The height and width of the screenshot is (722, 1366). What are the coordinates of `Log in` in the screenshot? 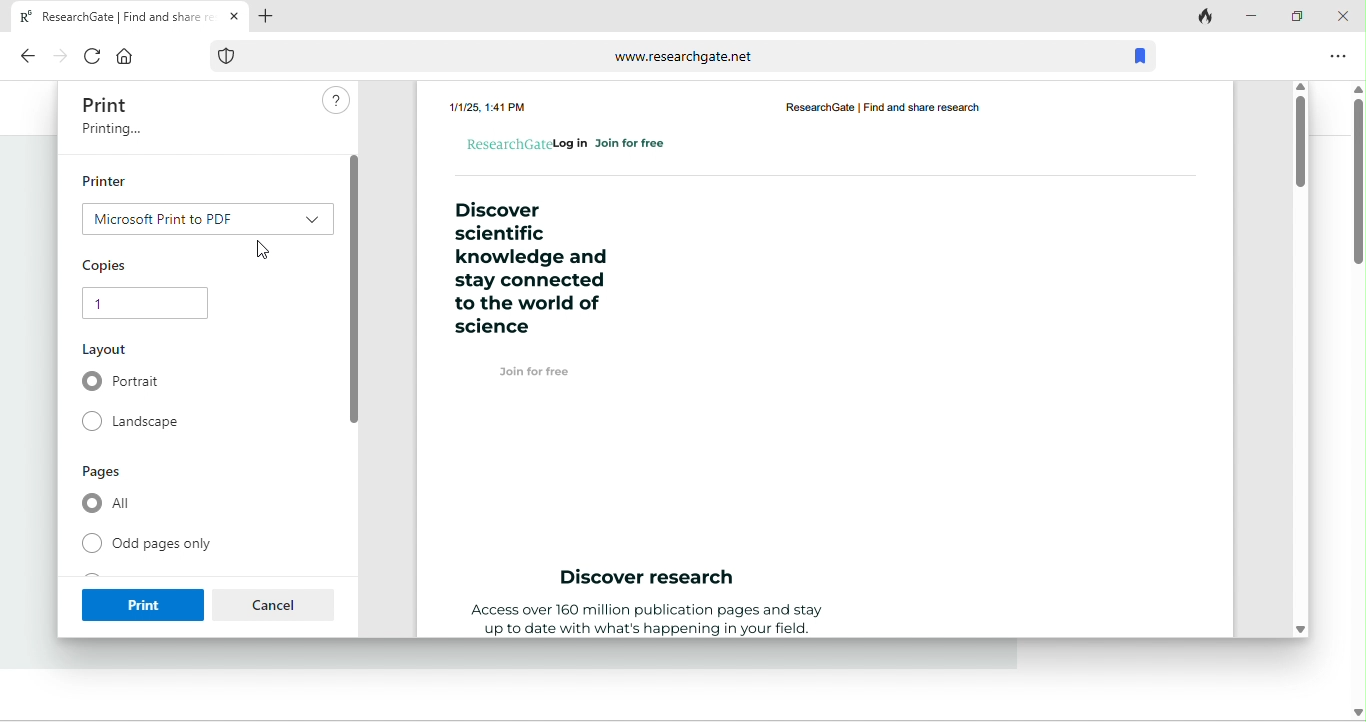 It's located at (572, 142).